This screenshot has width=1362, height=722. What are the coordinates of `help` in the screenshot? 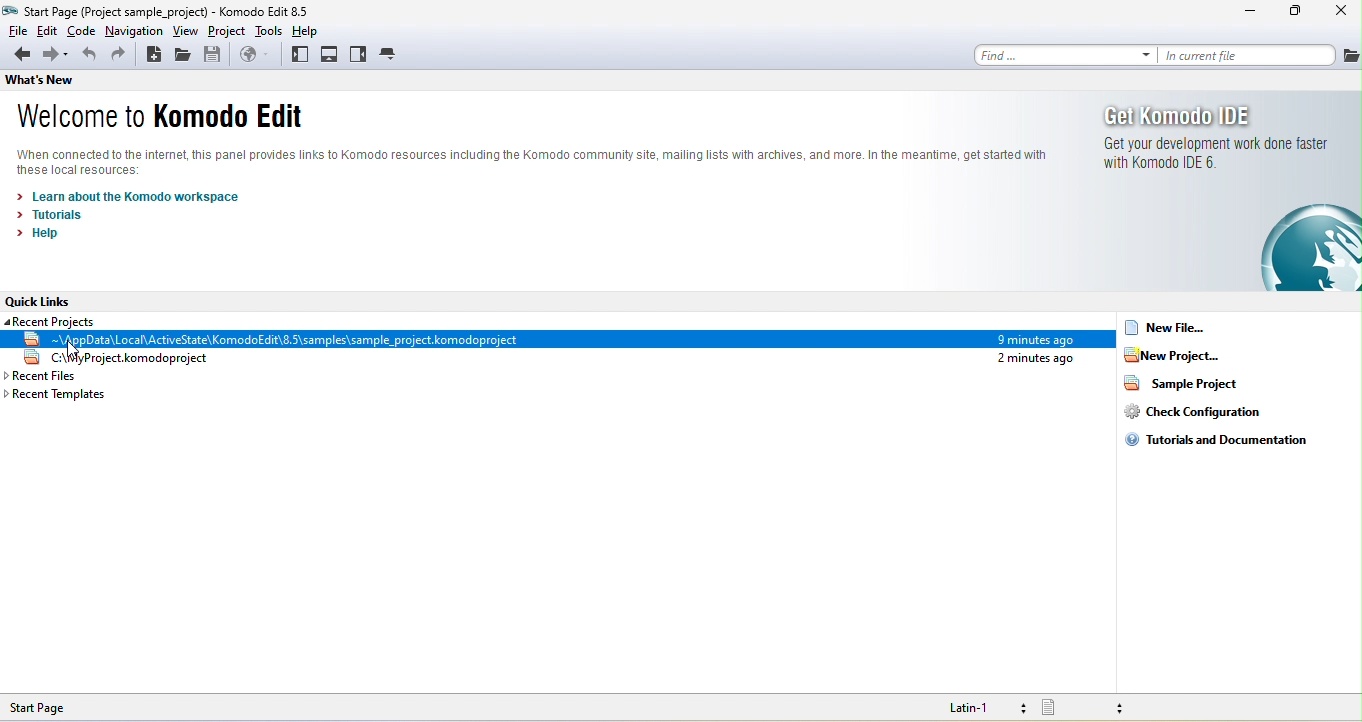 It's located at (302, 31).